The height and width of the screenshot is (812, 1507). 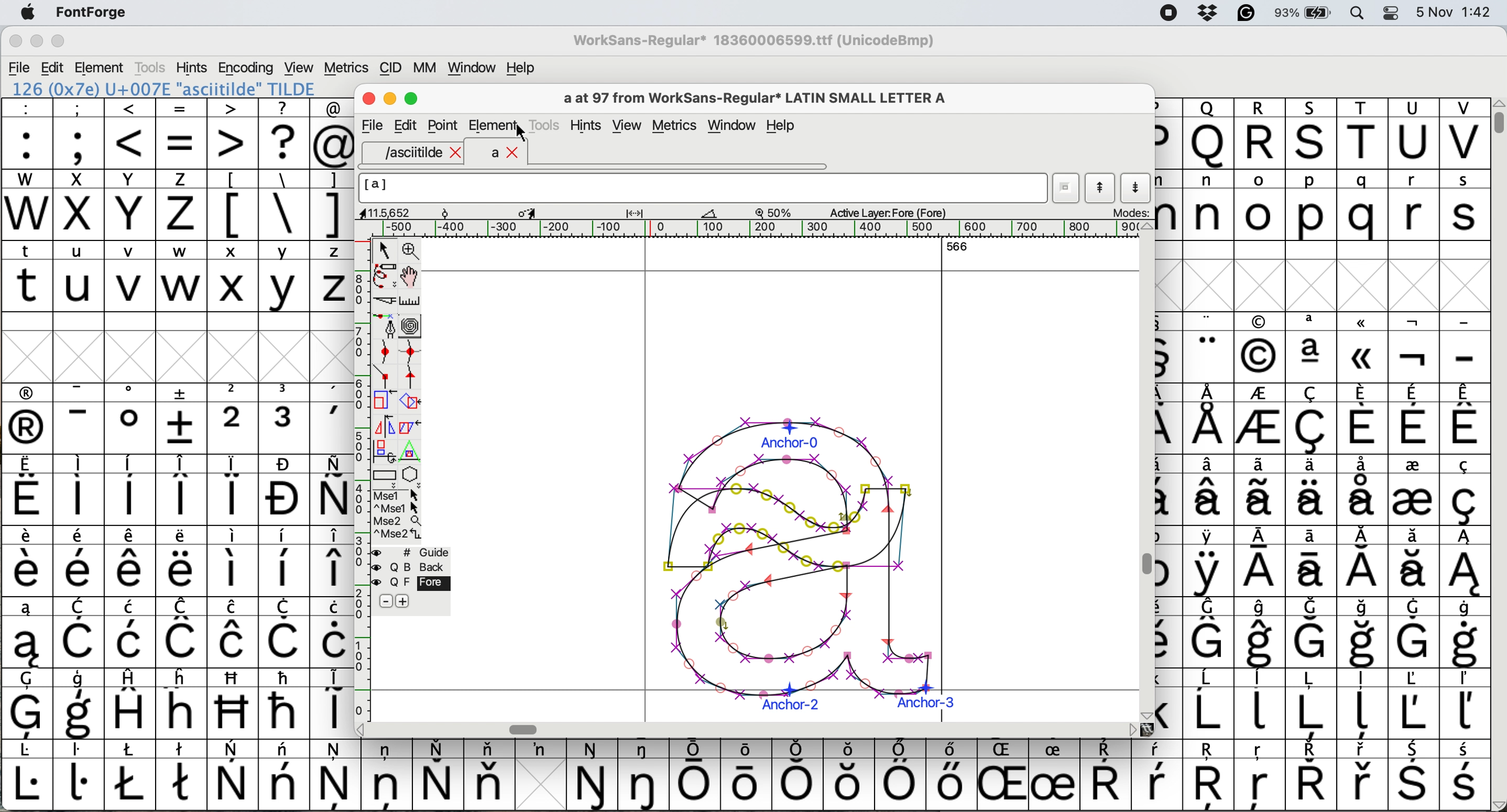 I want to click on symbol, so click(x=1463, y=490).